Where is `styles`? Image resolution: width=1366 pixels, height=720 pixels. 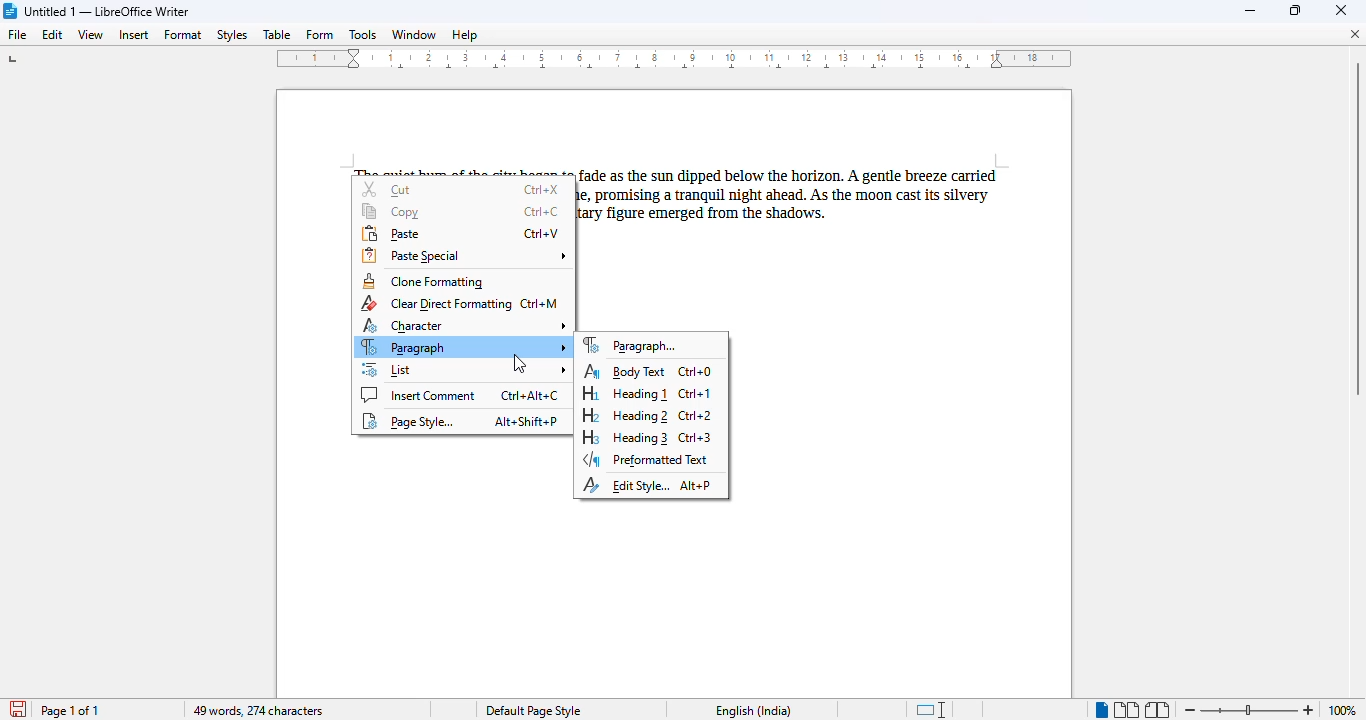
styles is located at coordinates (232, 35).